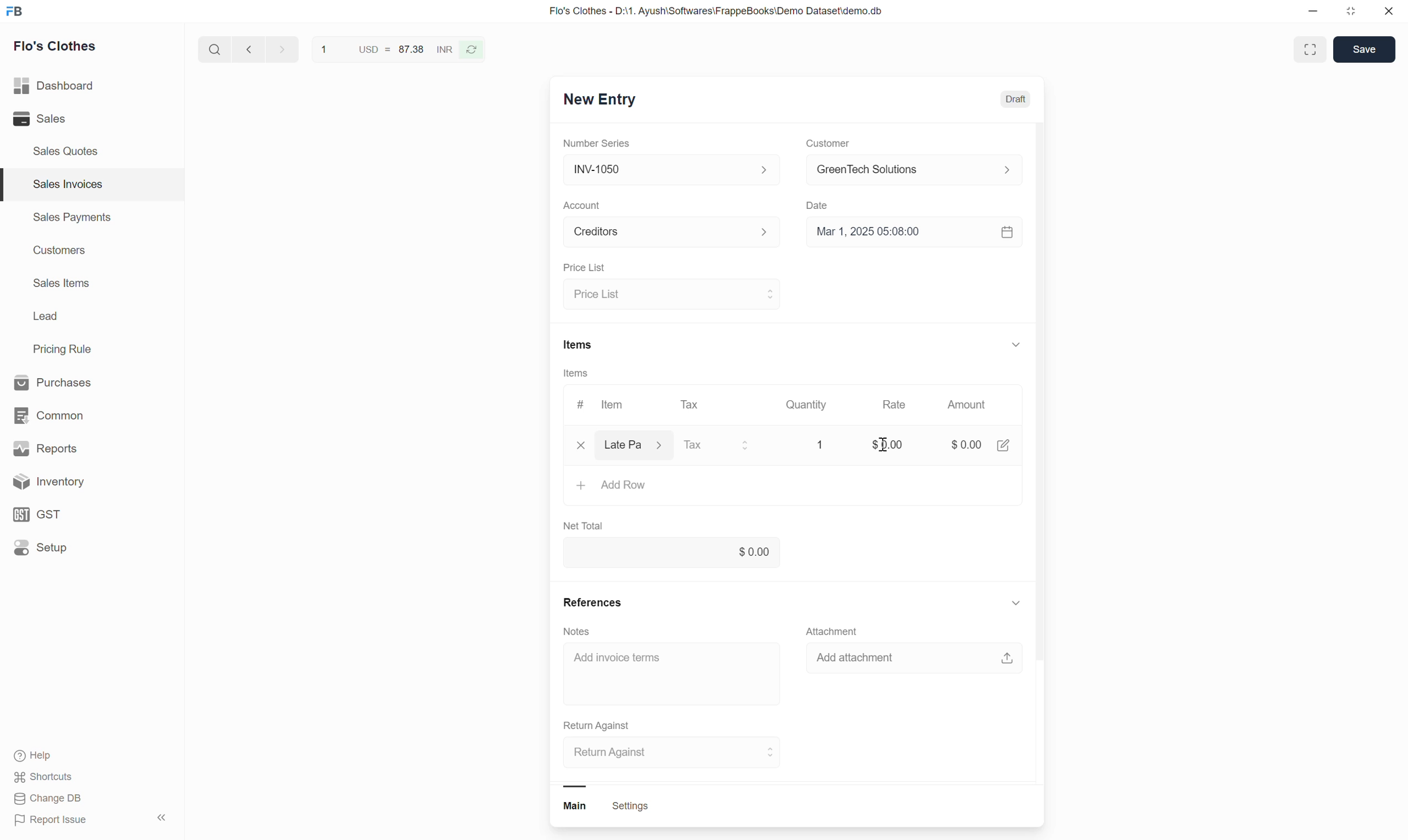 This screenshot has height=840, width=1408. What do you see at coordinates (1006, 446) in the screenshot?
I see `edit amount ` at bounding box center [1006, 446].